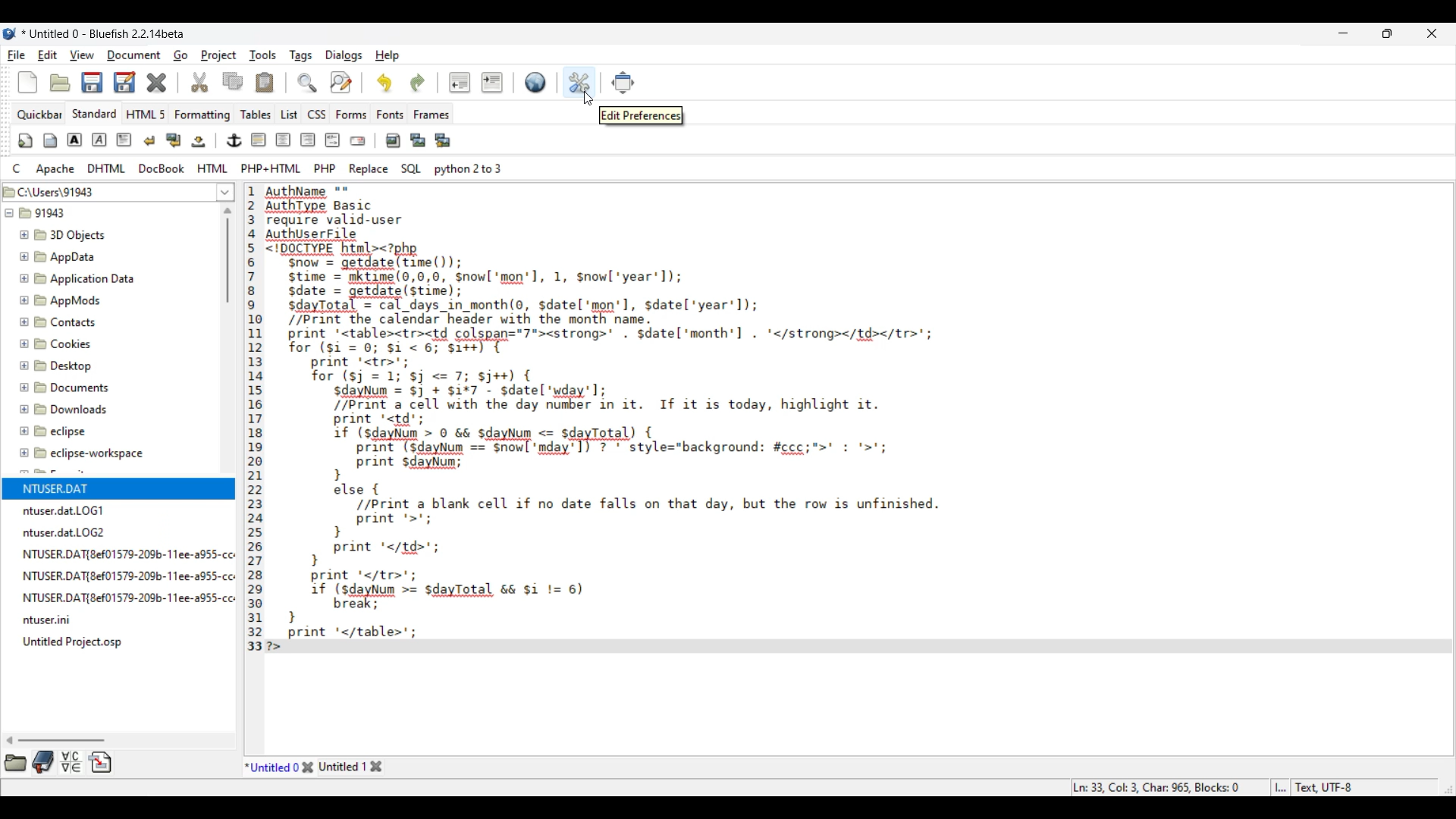 This screenshot has height=819, width=1456. I want to click on Redo, so click(418, 83).